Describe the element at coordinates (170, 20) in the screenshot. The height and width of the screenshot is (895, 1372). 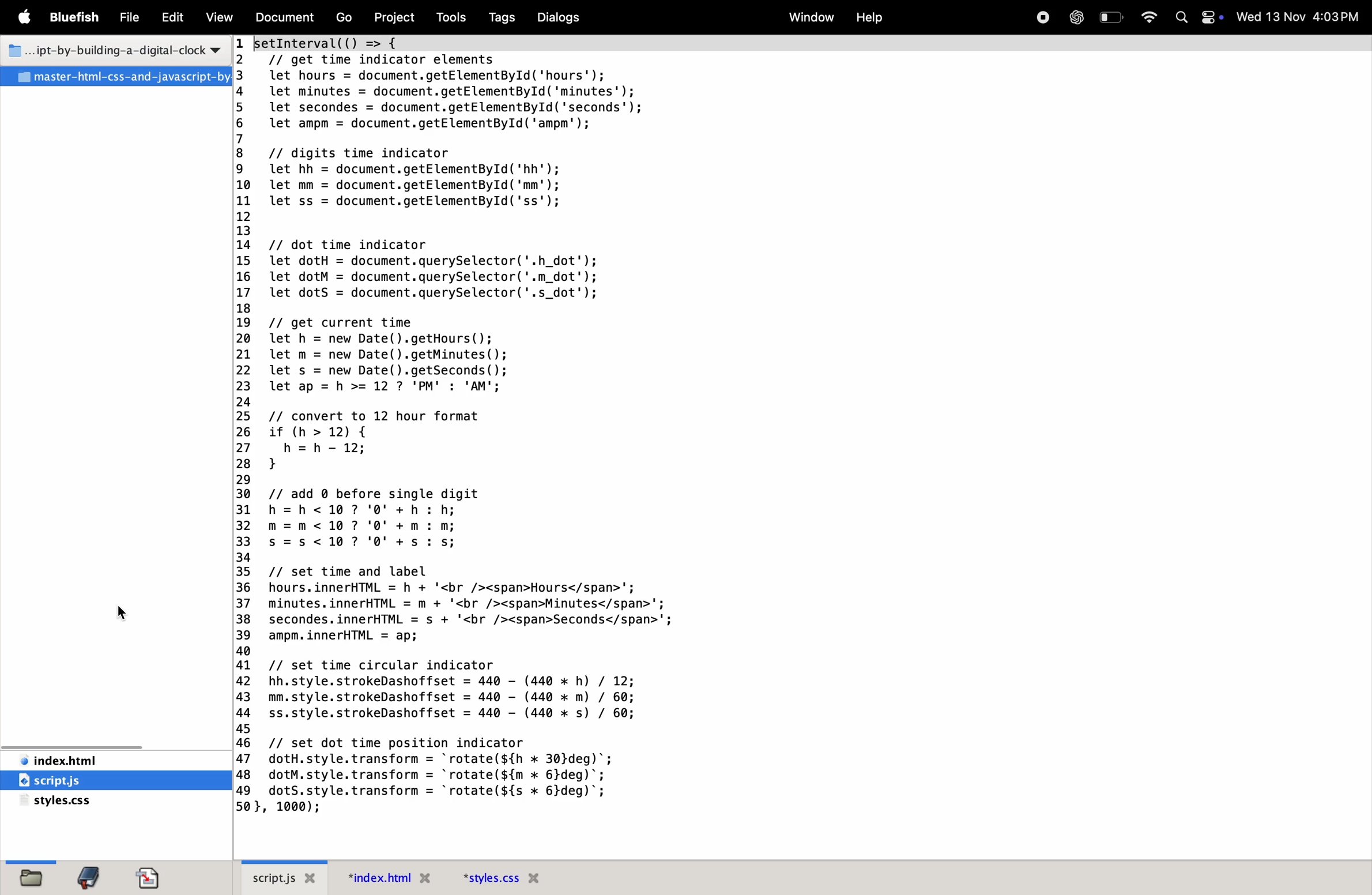
I see `edit` at that location.